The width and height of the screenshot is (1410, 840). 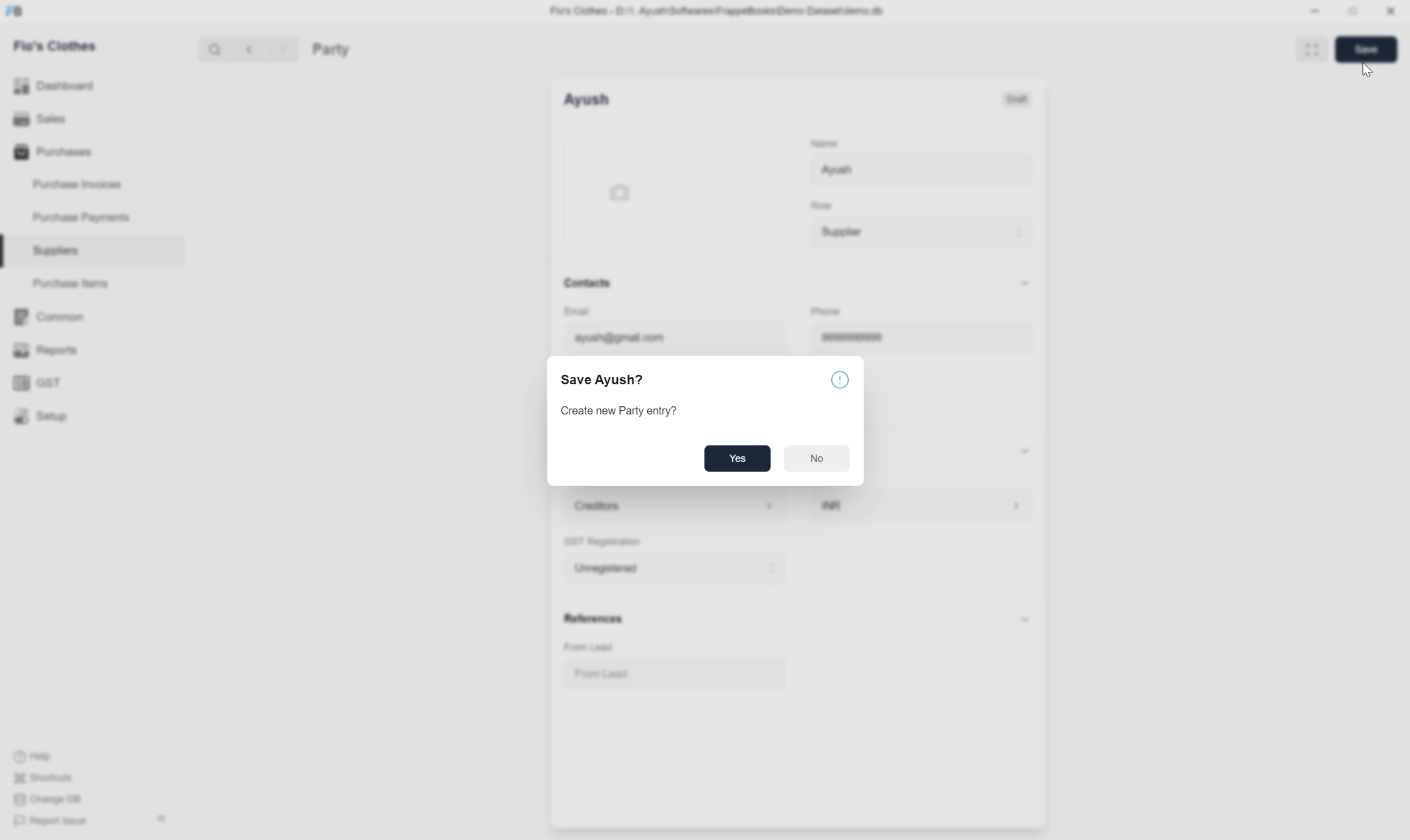 I want to click on Shortcuts, so click(x=44, y=778).